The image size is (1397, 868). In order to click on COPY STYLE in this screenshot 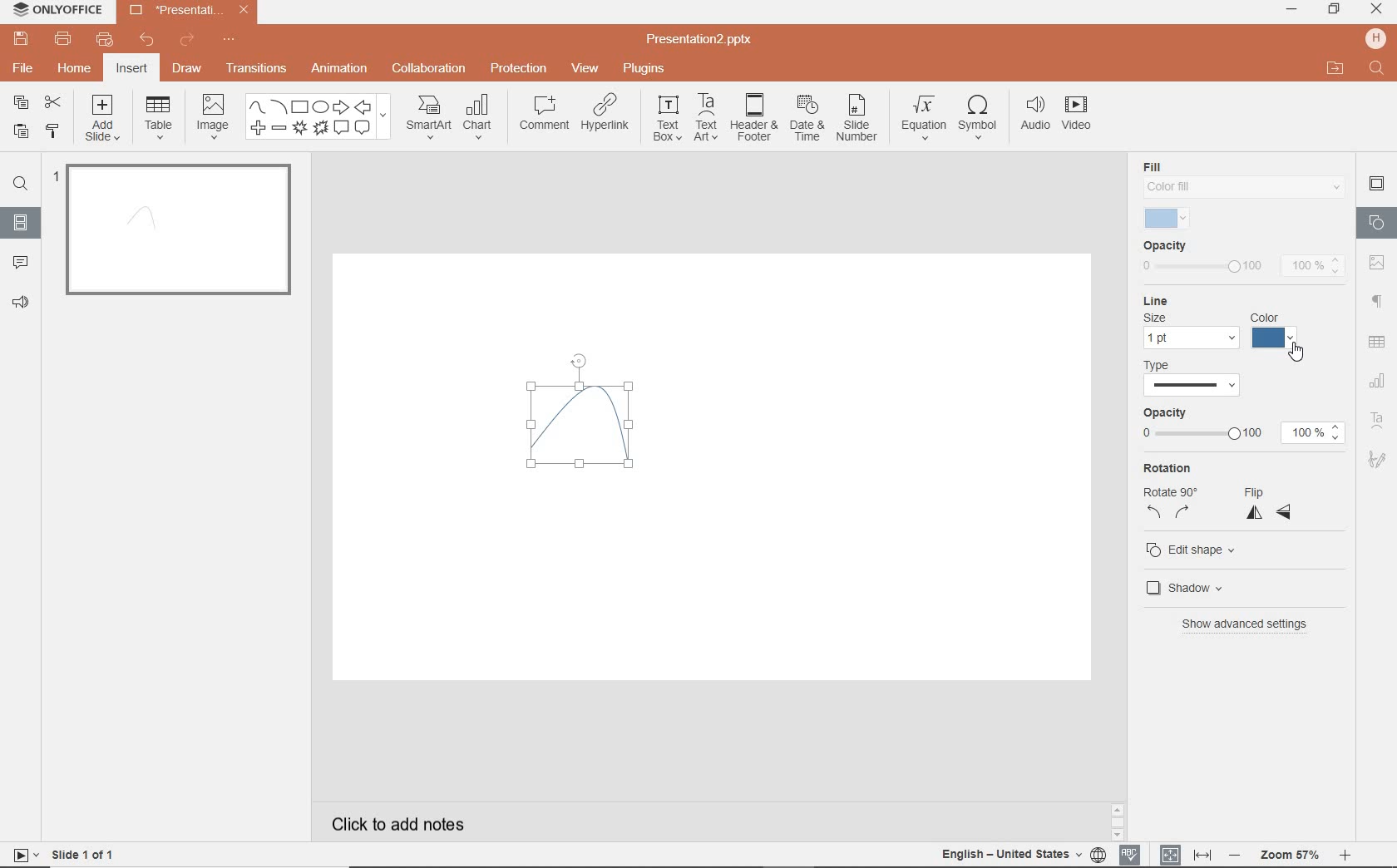, I will do `click(52, 131)`.